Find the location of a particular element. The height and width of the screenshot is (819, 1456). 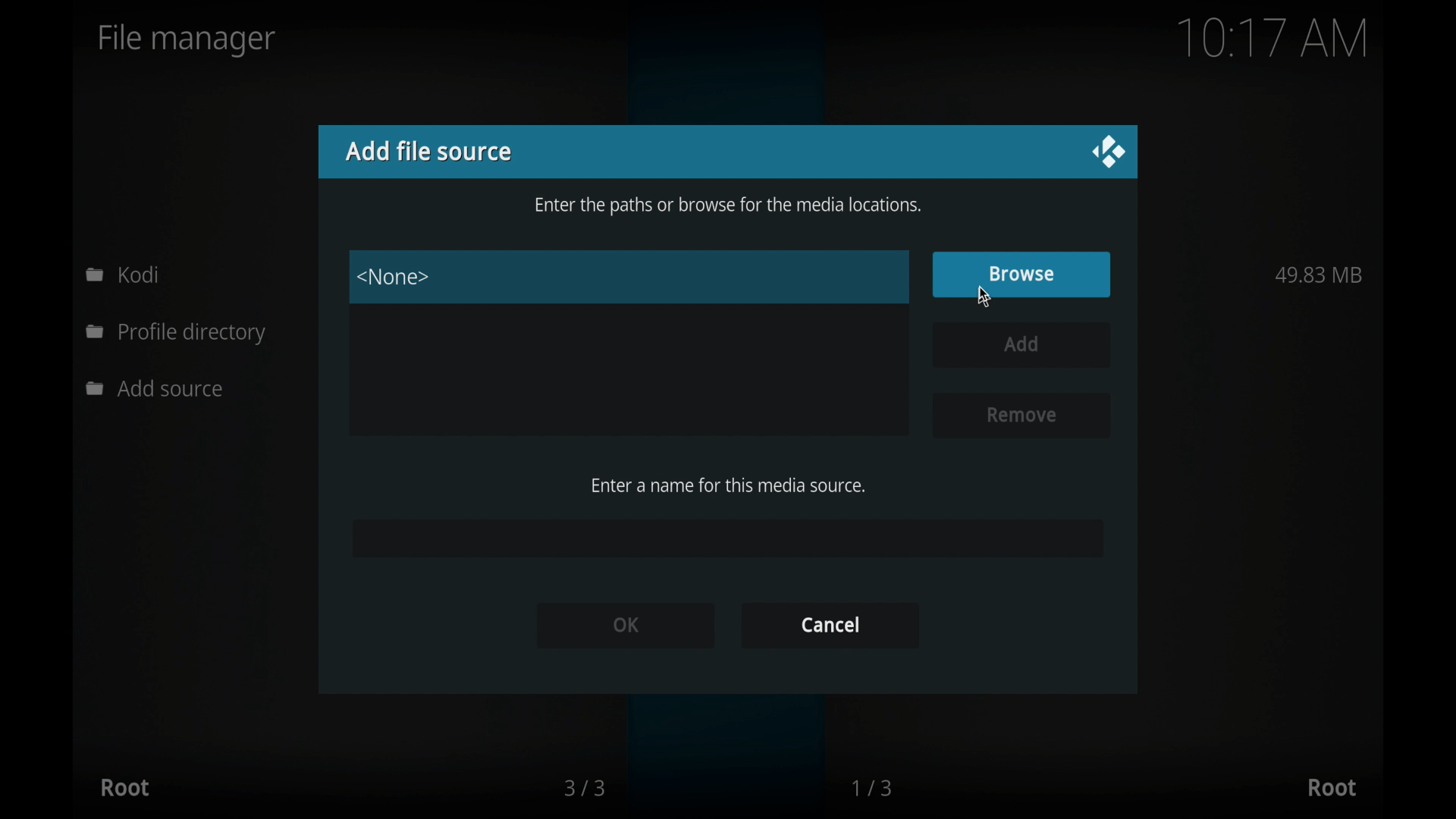

file manager is located at coordinates (187, 40).